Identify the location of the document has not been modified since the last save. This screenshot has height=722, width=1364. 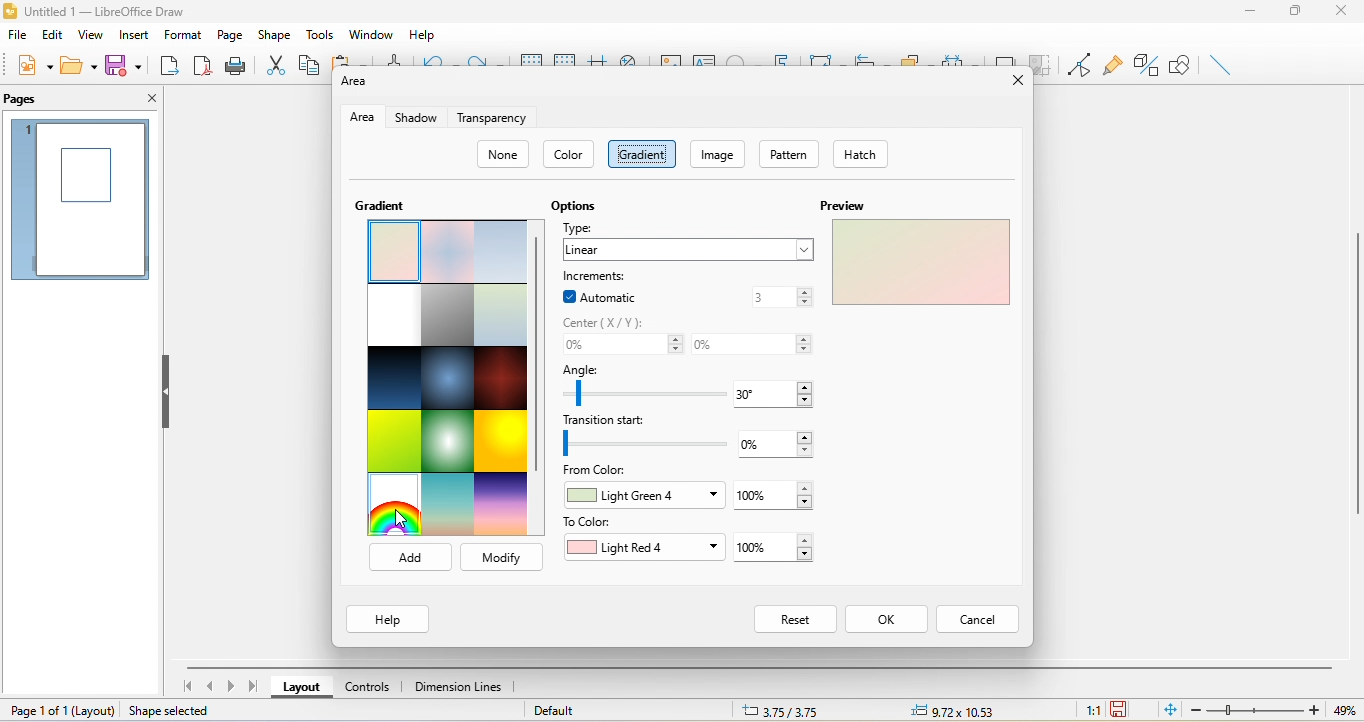
(1126, 710).